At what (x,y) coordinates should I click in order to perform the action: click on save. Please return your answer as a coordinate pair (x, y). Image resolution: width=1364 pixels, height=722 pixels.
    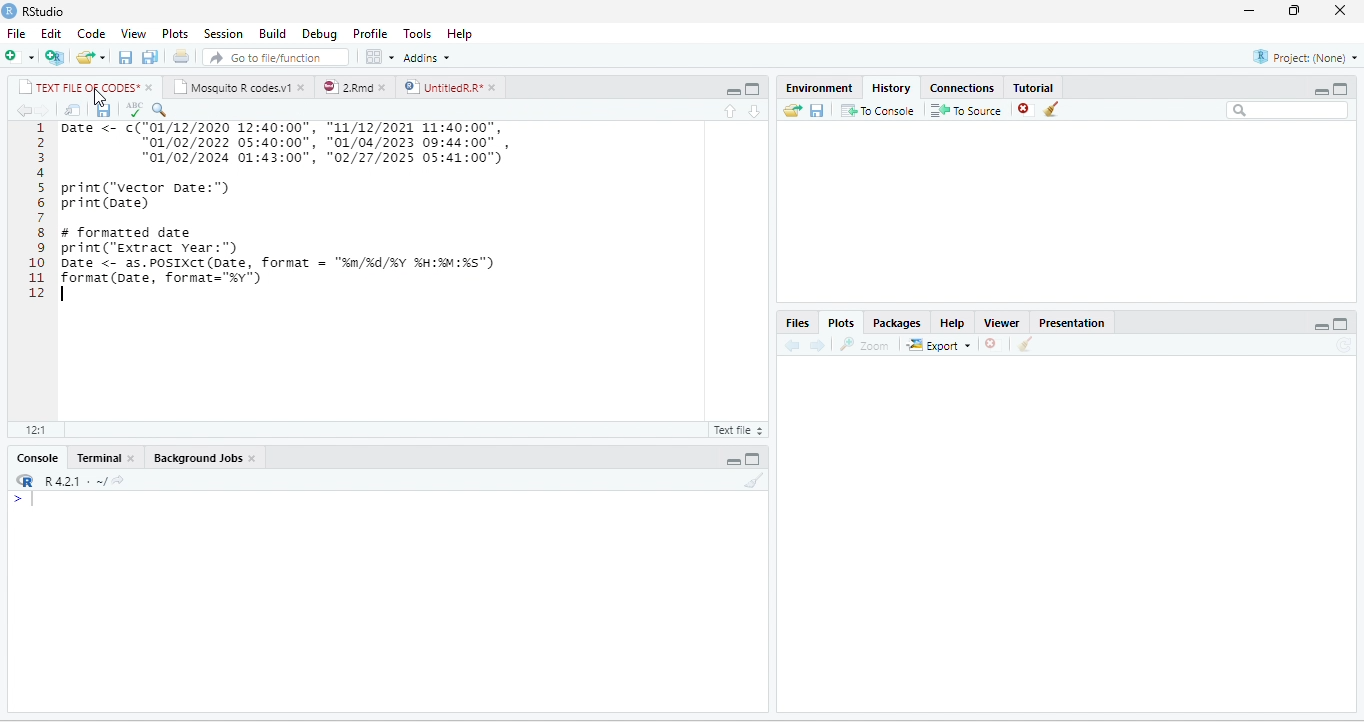
    Looking at the image, I should click on (817, 110).